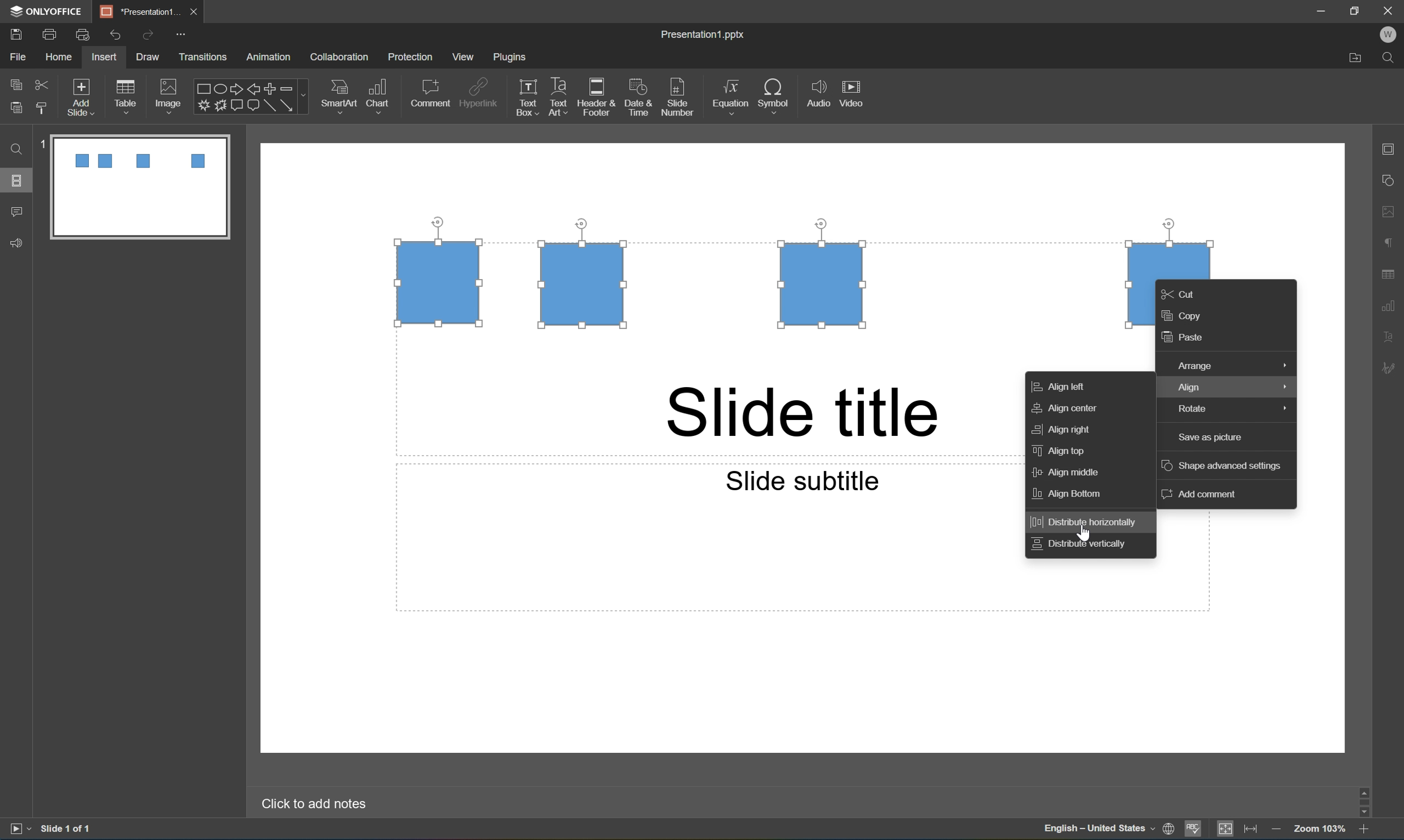 The image size is (1404, 840). Describe the element at coordinates (19, 181) in the screenshot. I see `slides` at that location.